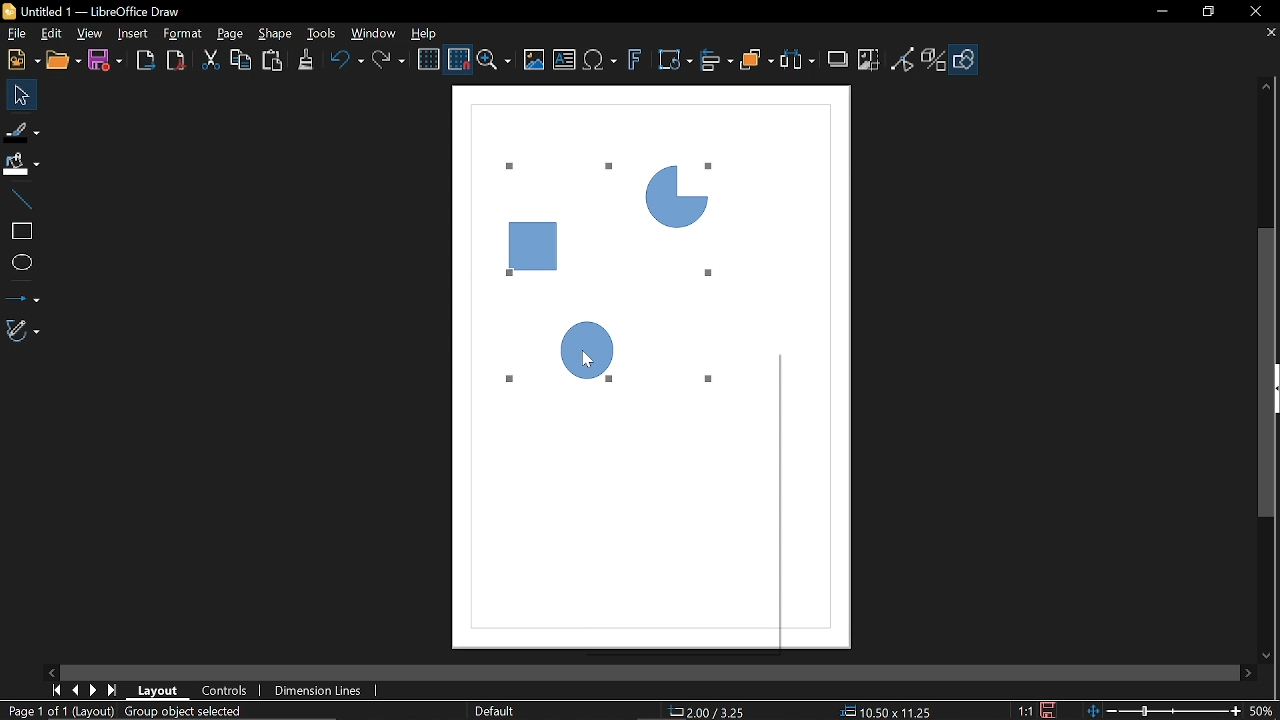 This screenshot has width=1280, height=720. Describe the element at coordinates (603, 62) in the screenshot. I see `Insert equation` at that location.